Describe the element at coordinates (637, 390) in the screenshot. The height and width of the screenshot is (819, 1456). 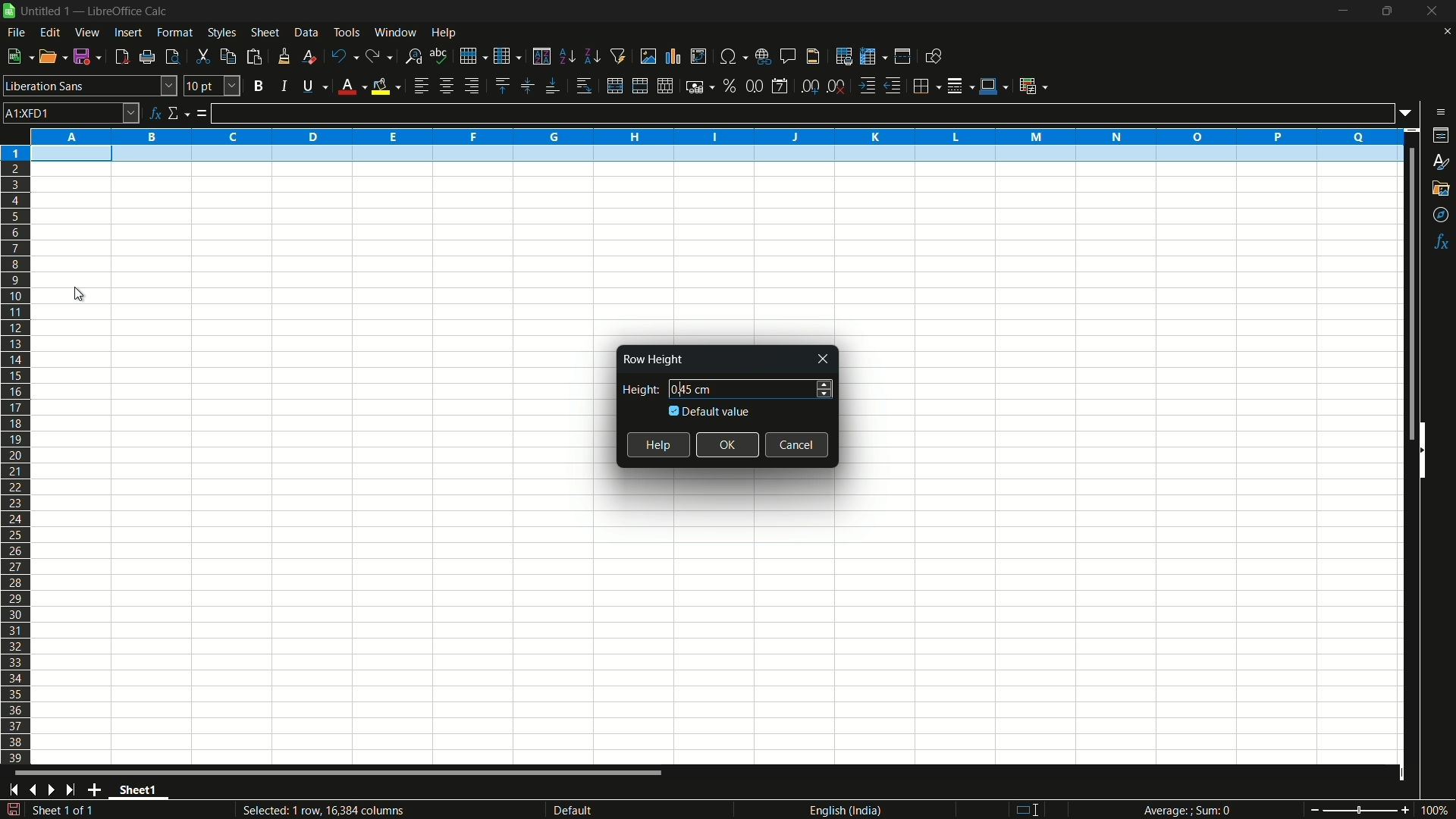
I see `height` at that location.